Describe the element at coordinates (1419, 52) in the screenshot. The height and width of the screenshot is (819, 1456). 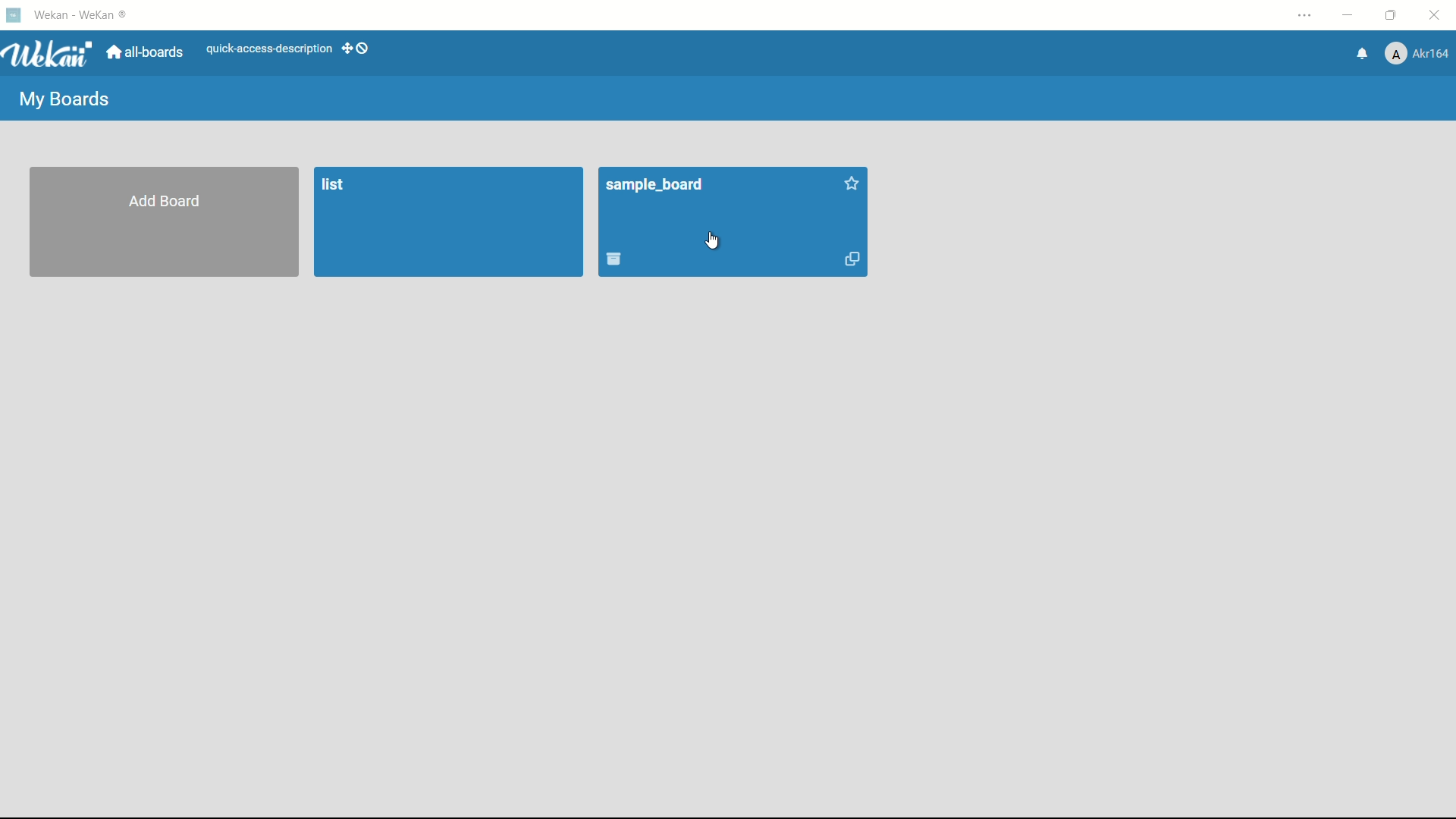
I see `akr164` at that location.